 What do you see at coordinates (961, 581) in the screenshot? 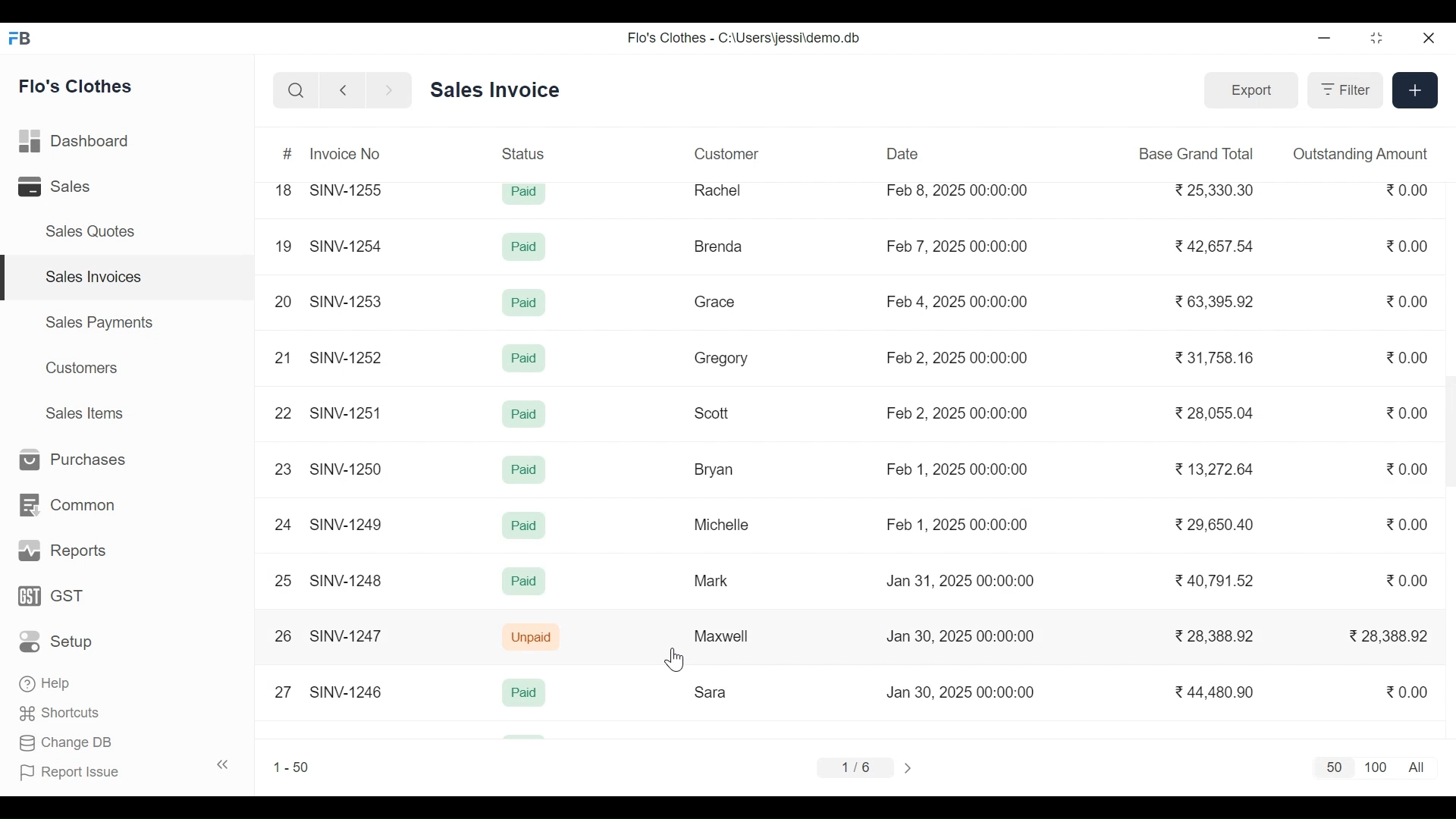
I see `Jan 31, 2025 00:00:00` at bounding box center [961, 581].